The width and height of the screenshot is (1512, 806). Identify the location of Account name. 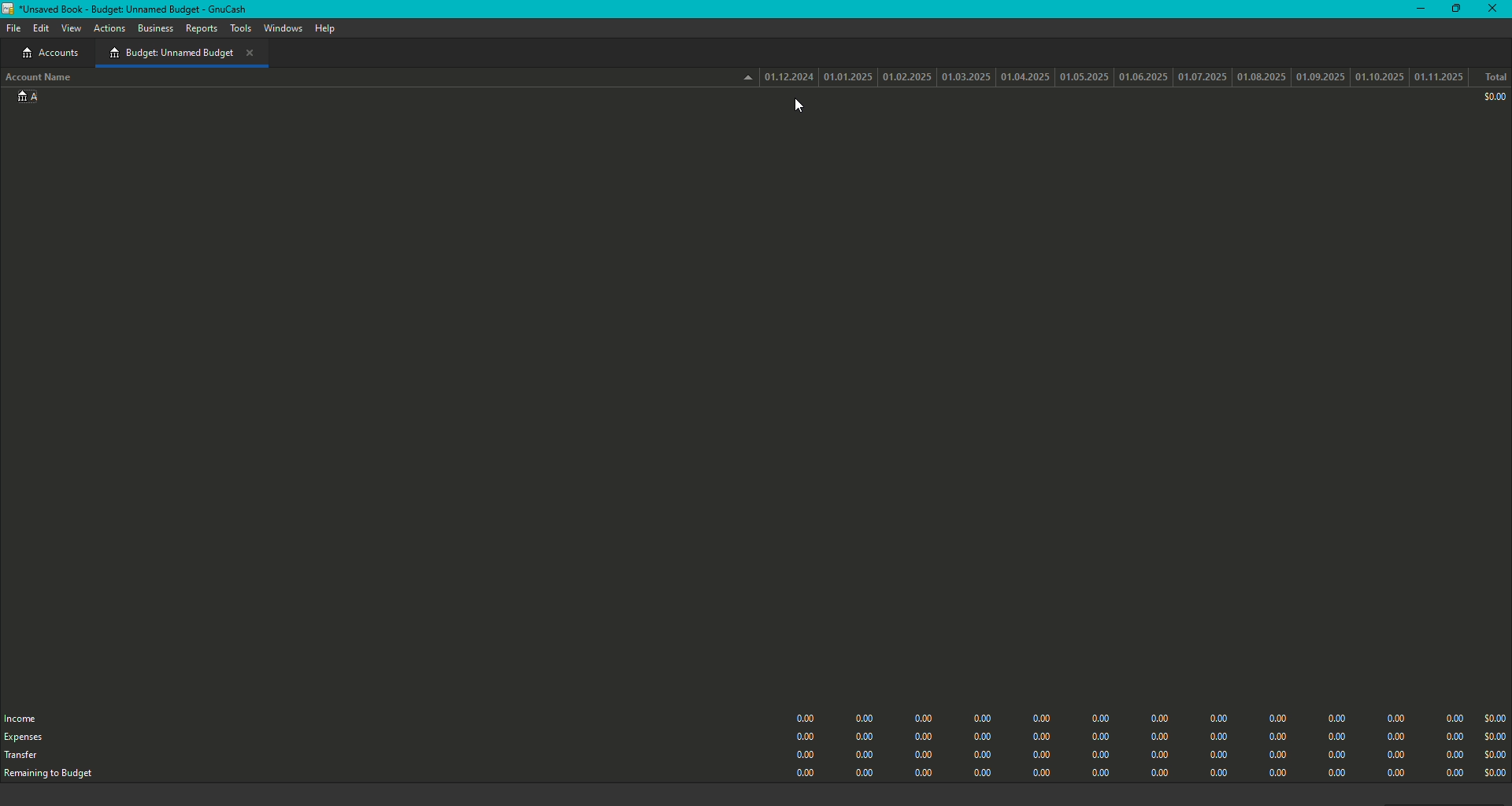
(41, 79).